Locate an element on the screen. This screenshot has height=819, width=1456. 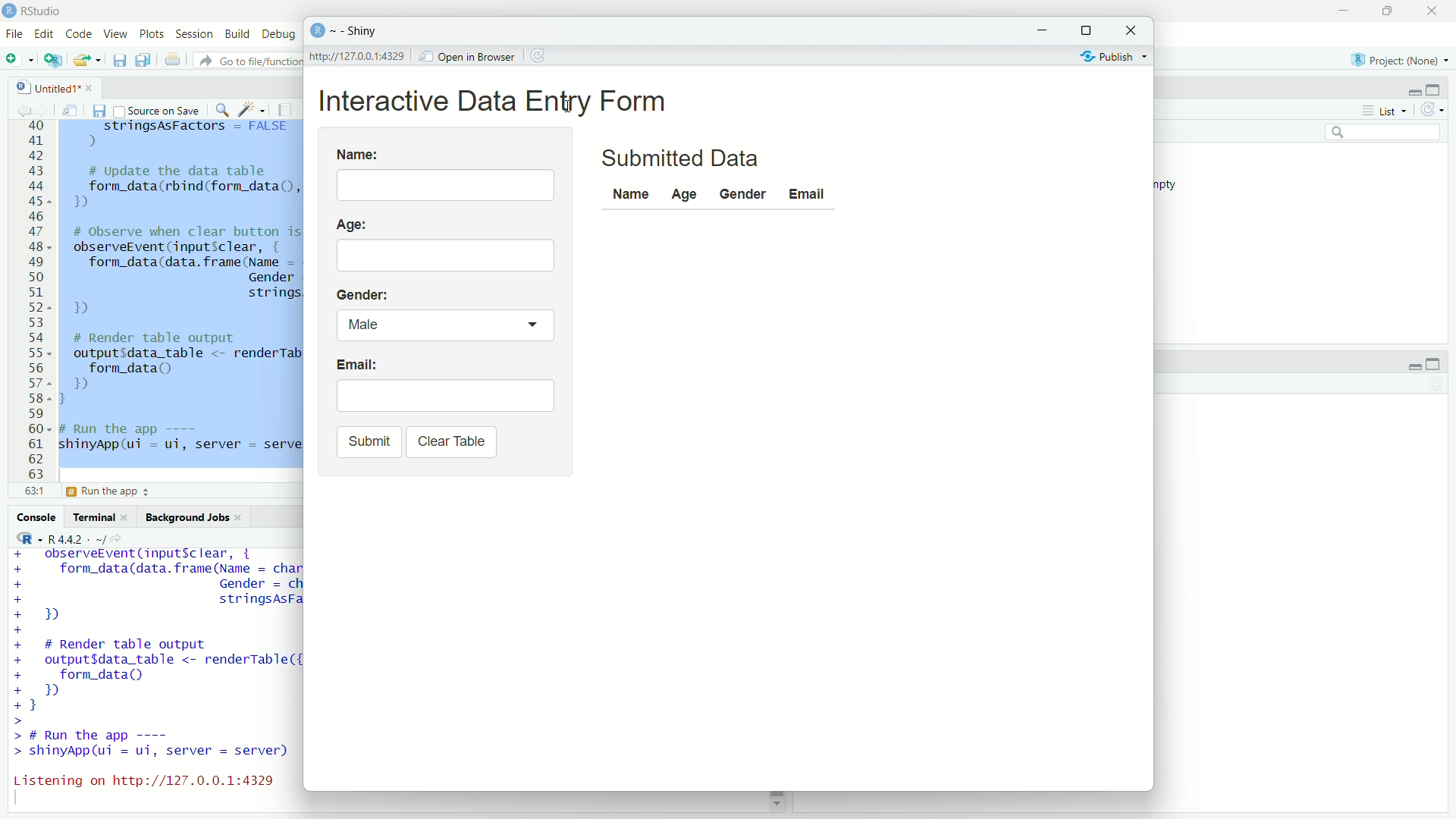
Name is located at coordinates (631, 196).